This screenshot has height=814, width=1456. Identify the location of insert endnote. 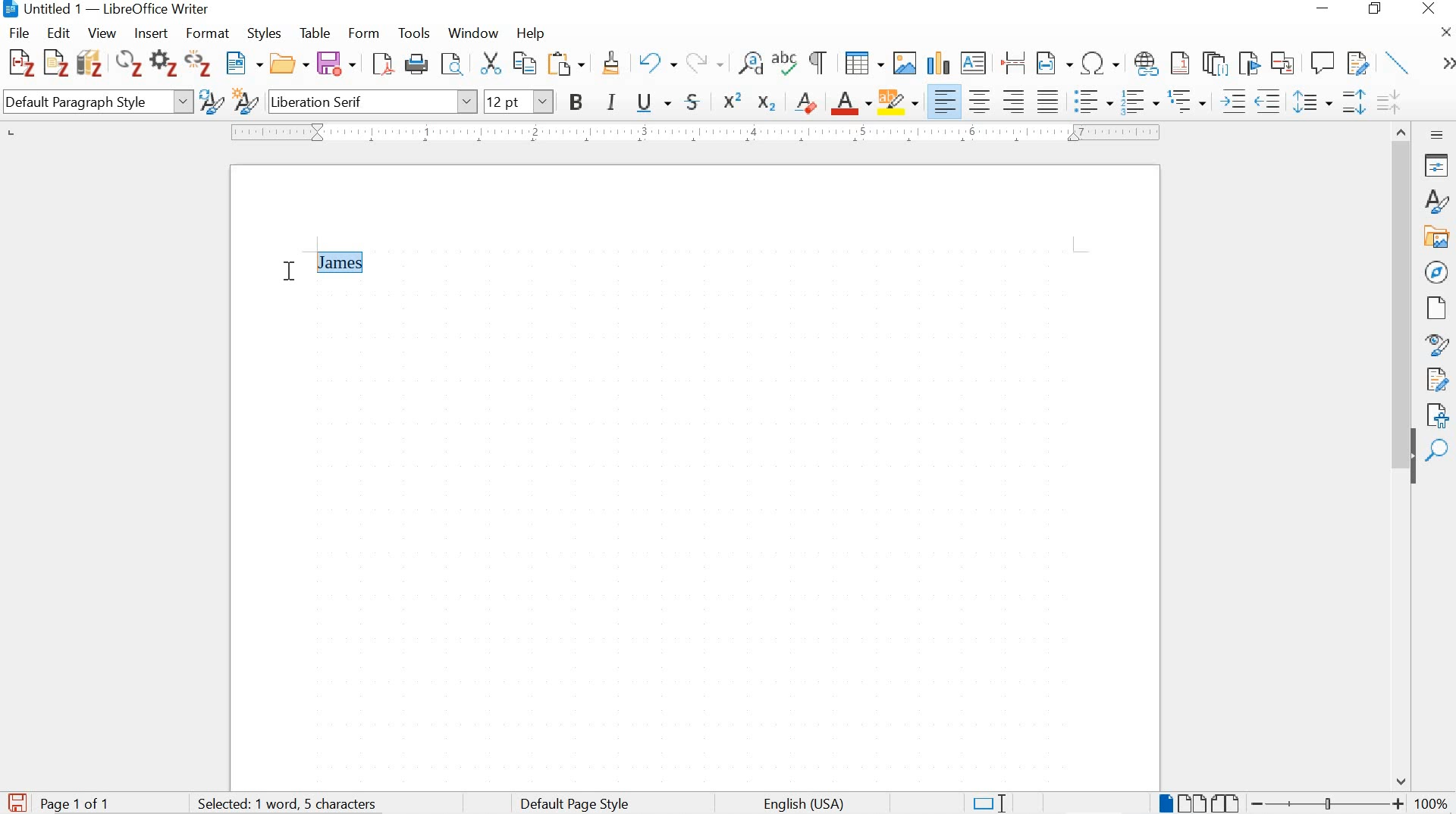
(1215, 64).